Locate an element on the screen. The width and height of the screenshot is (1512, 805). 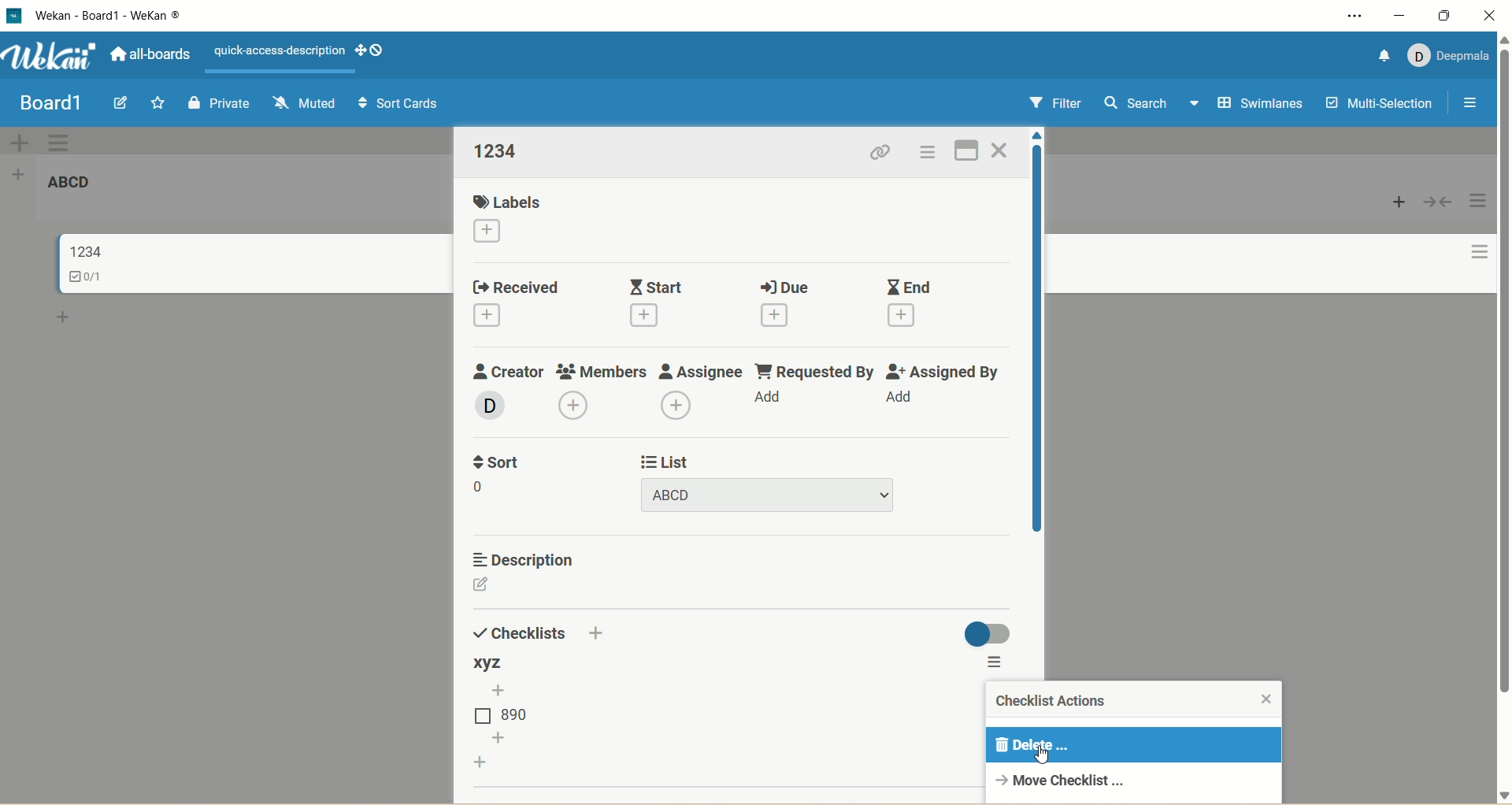
swimlane is located at coordinates (1259, 103).